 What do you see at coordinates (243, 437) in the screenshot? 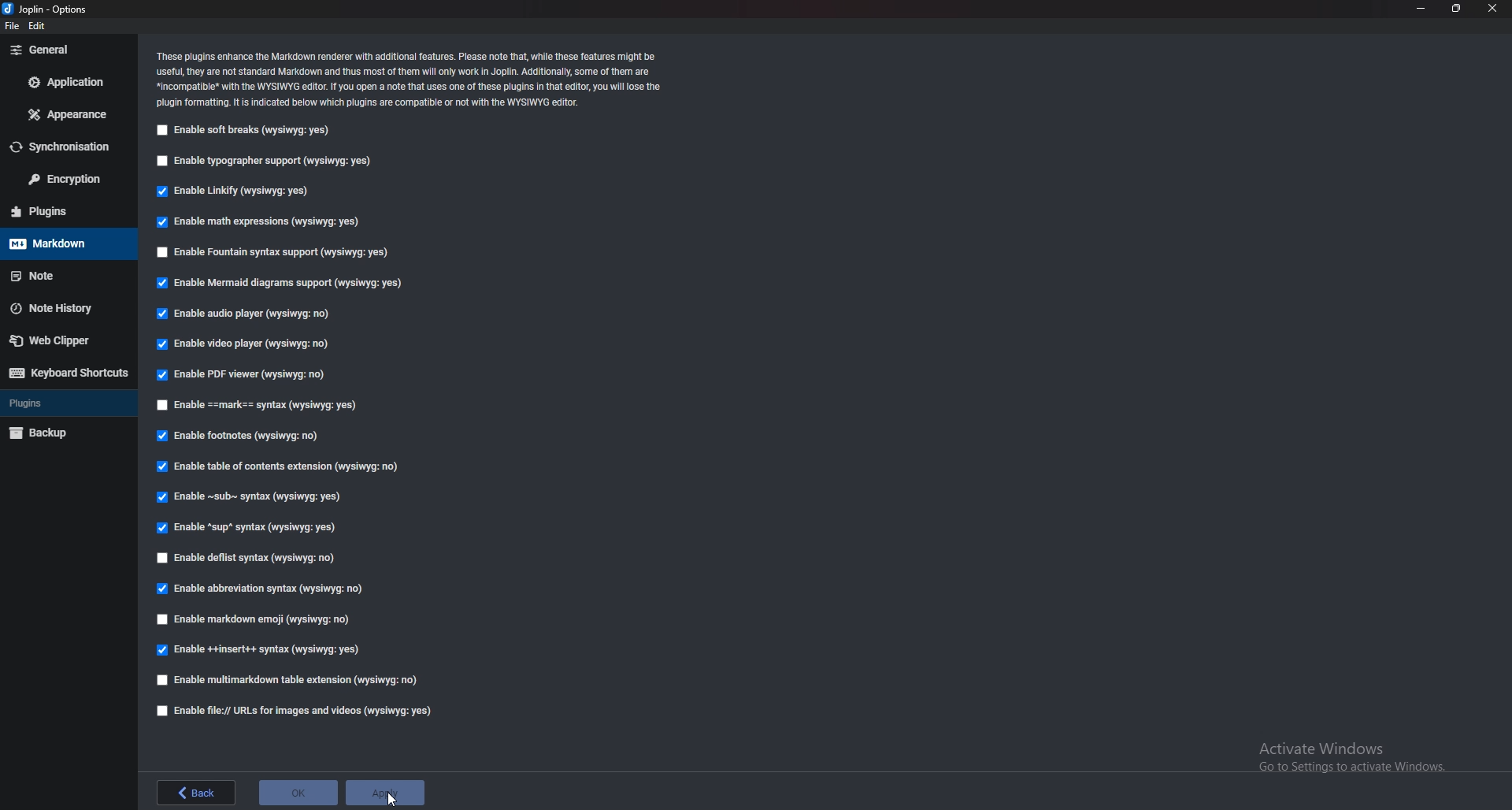
I see `Enable footnotes` at bounding box center [243, 437].